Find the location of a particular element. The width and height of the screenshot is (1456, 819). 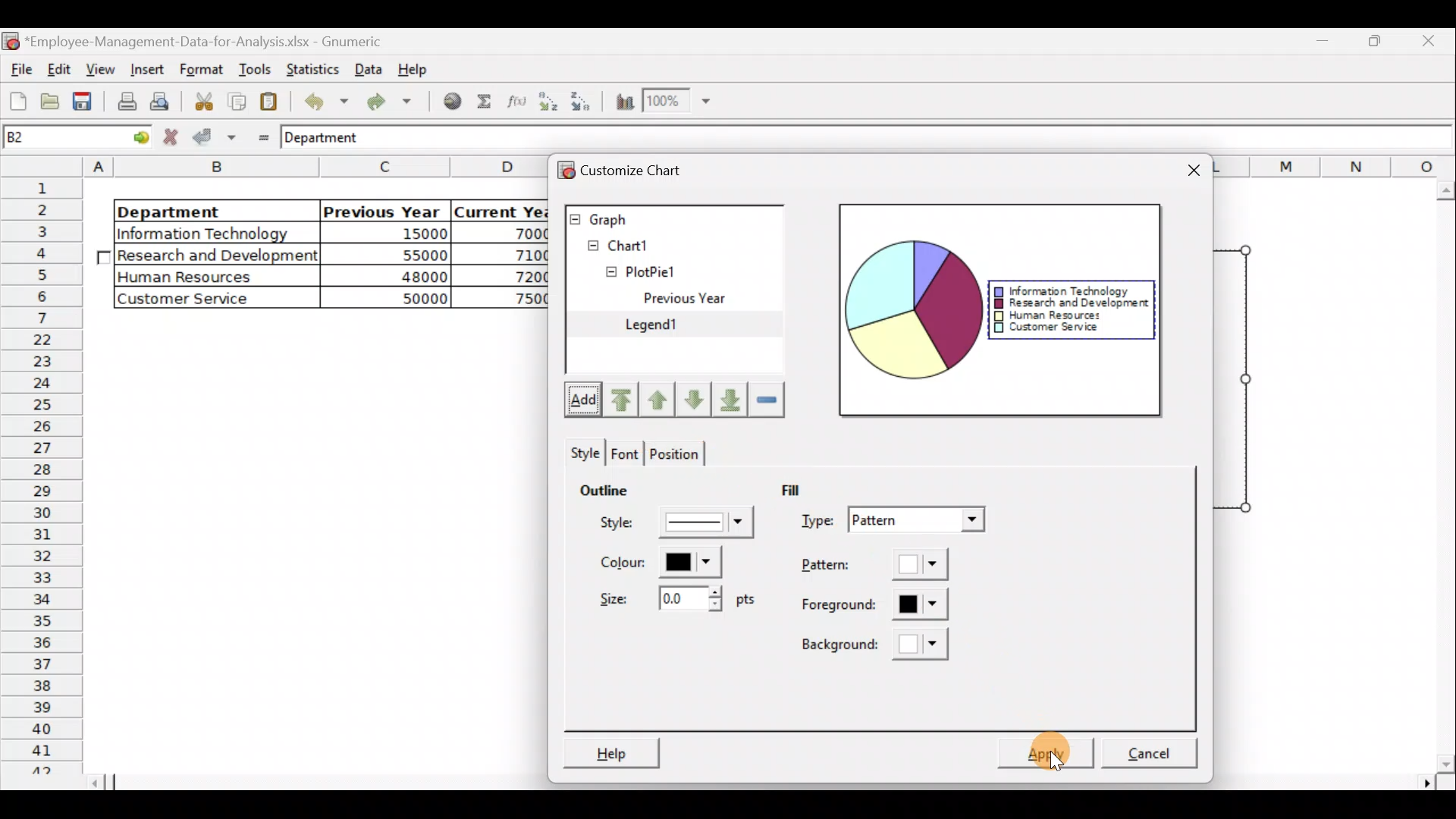

Foreground is located at coordinates (866, 607).